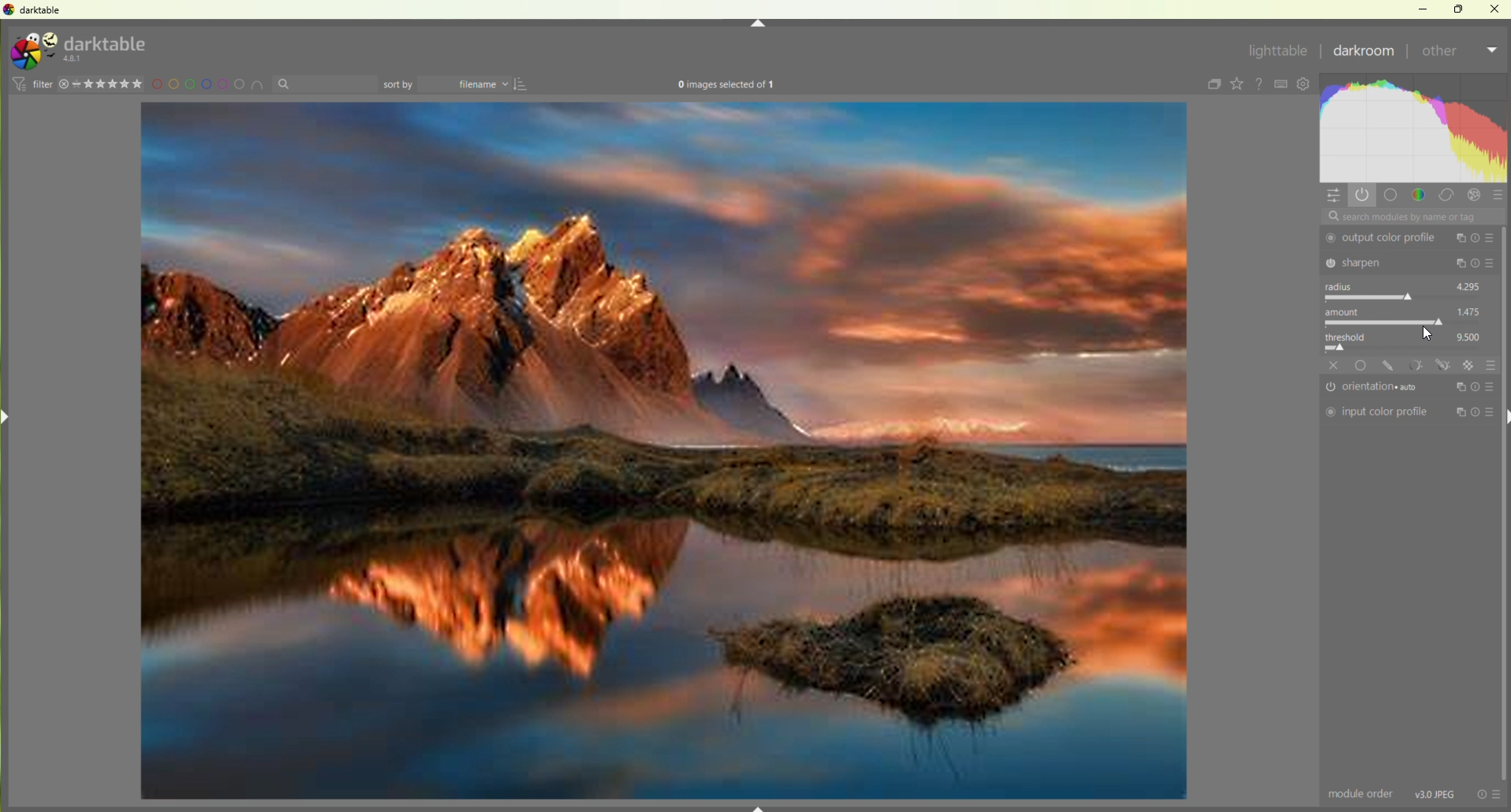 This screenshot has width=1511, height=812. Describe the element at coordinates (1307, 85) in the screenshot. I see `Settings` at that location.